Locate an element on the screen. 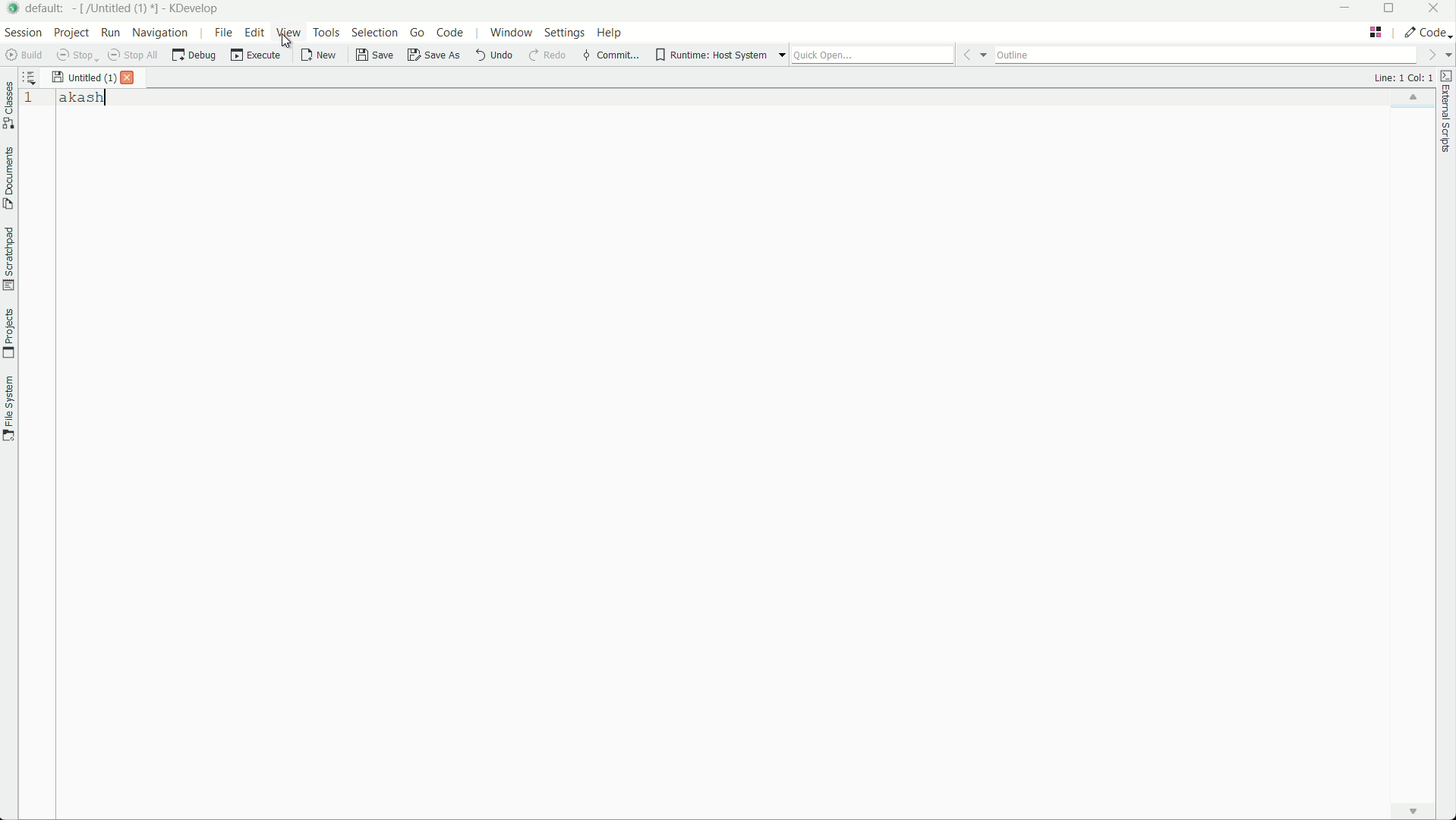  redo is located at coordinates (547, 55).